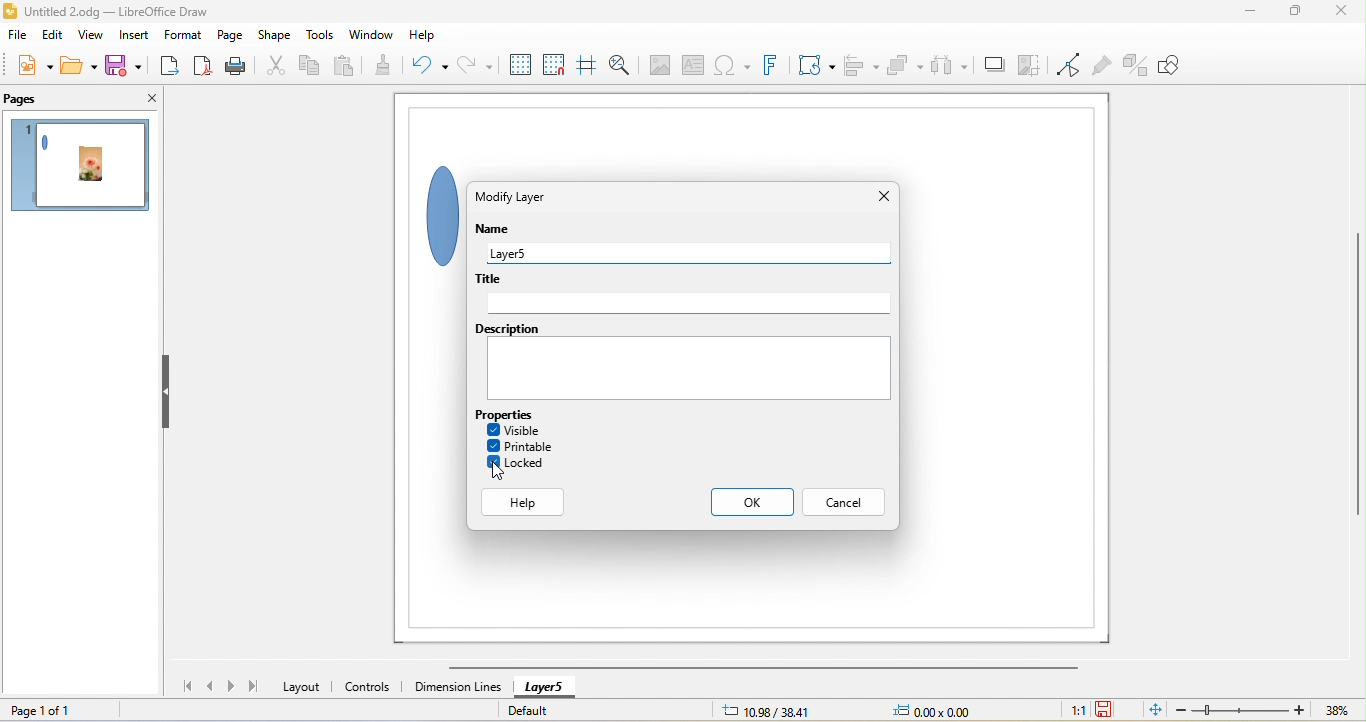 This screenshot has width=1366, height=722. What do you see at coordinates (541, 709) in the screenshot?
I see `default` at bounding box center [541, 709].